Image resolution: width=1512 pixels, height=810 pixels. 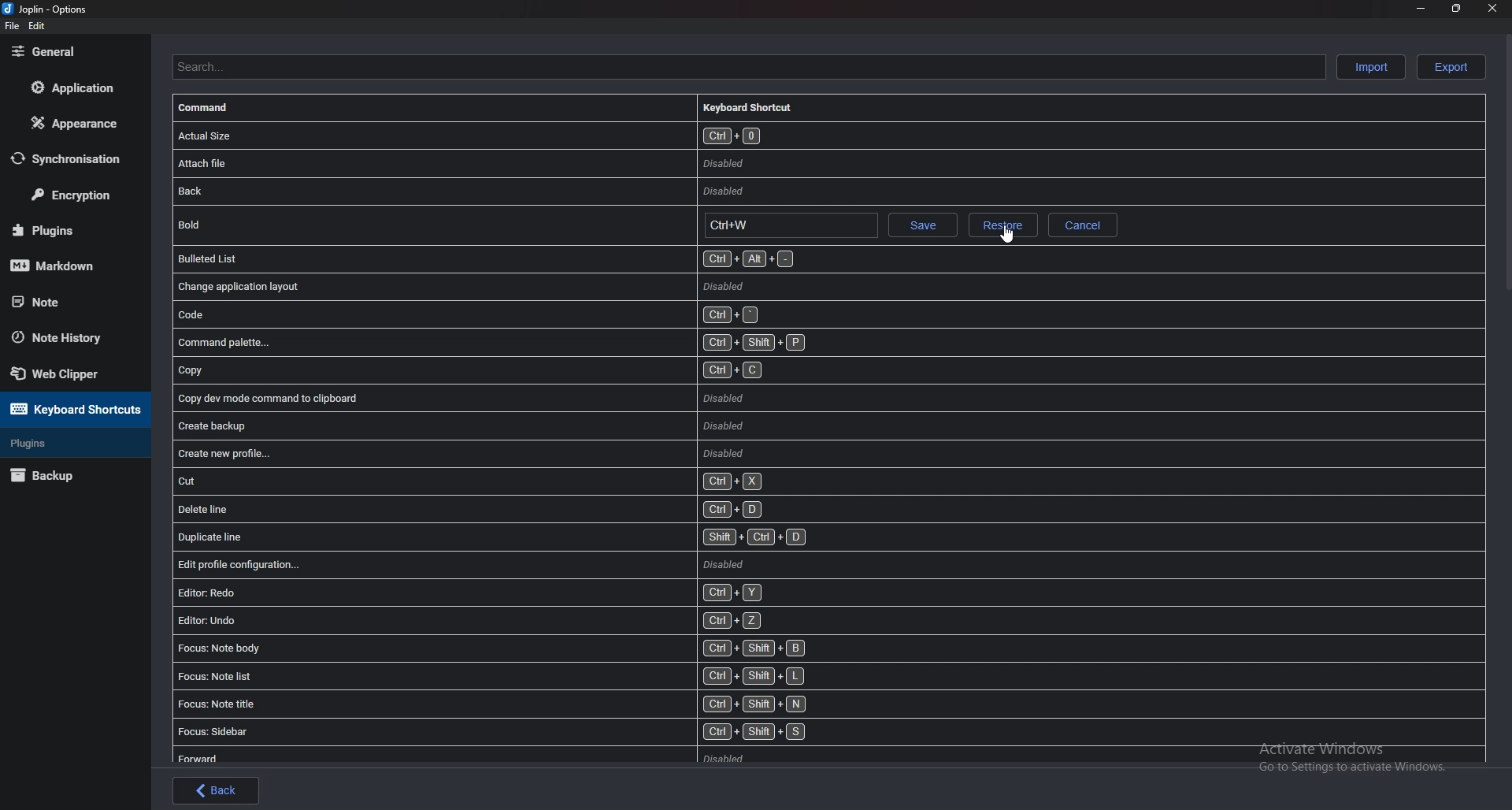 I want to click on Plugins, so click(x=69, y=444).